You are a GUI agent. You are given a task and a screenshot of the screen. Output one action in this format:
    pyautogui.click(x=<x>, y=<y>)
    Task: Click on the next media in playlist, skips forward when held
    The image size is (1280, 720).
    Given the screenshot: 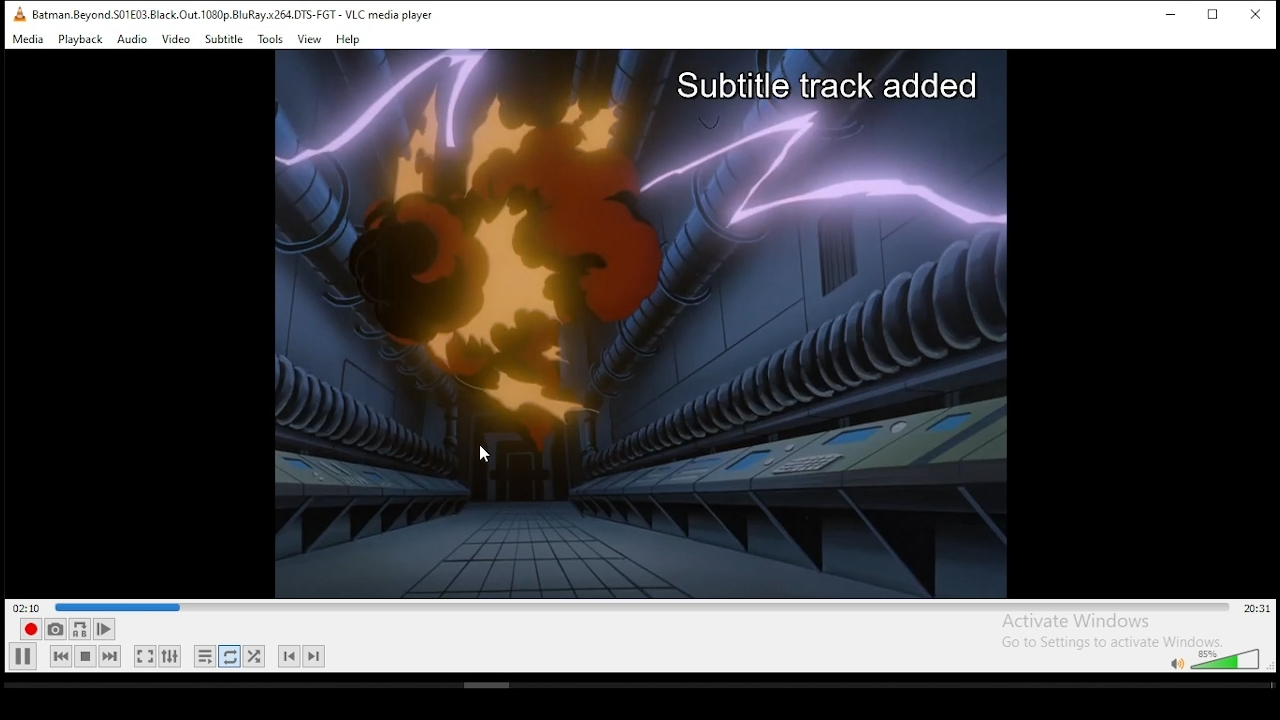 What is the action you would take?
    pyautogui.click(x=111, y=656)
    